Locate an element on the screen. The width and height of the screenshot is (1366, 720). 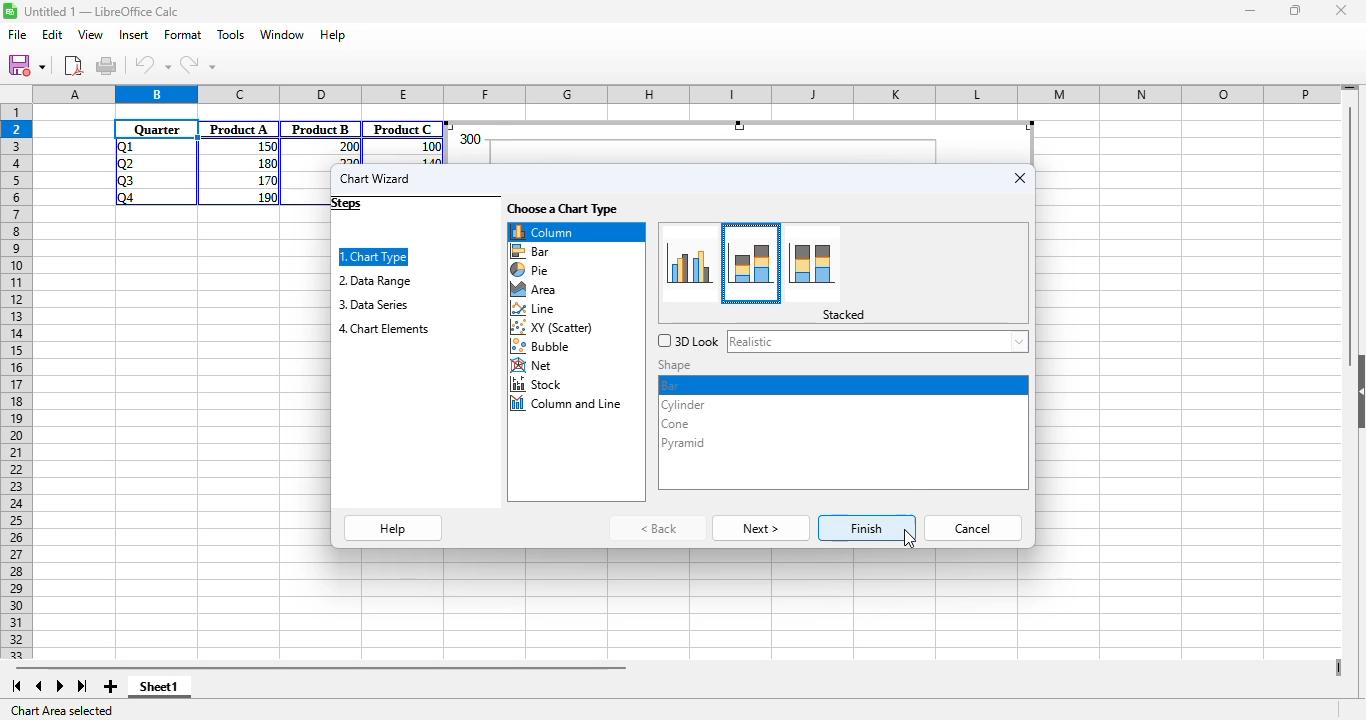
next is located at coordinates (761, 529).